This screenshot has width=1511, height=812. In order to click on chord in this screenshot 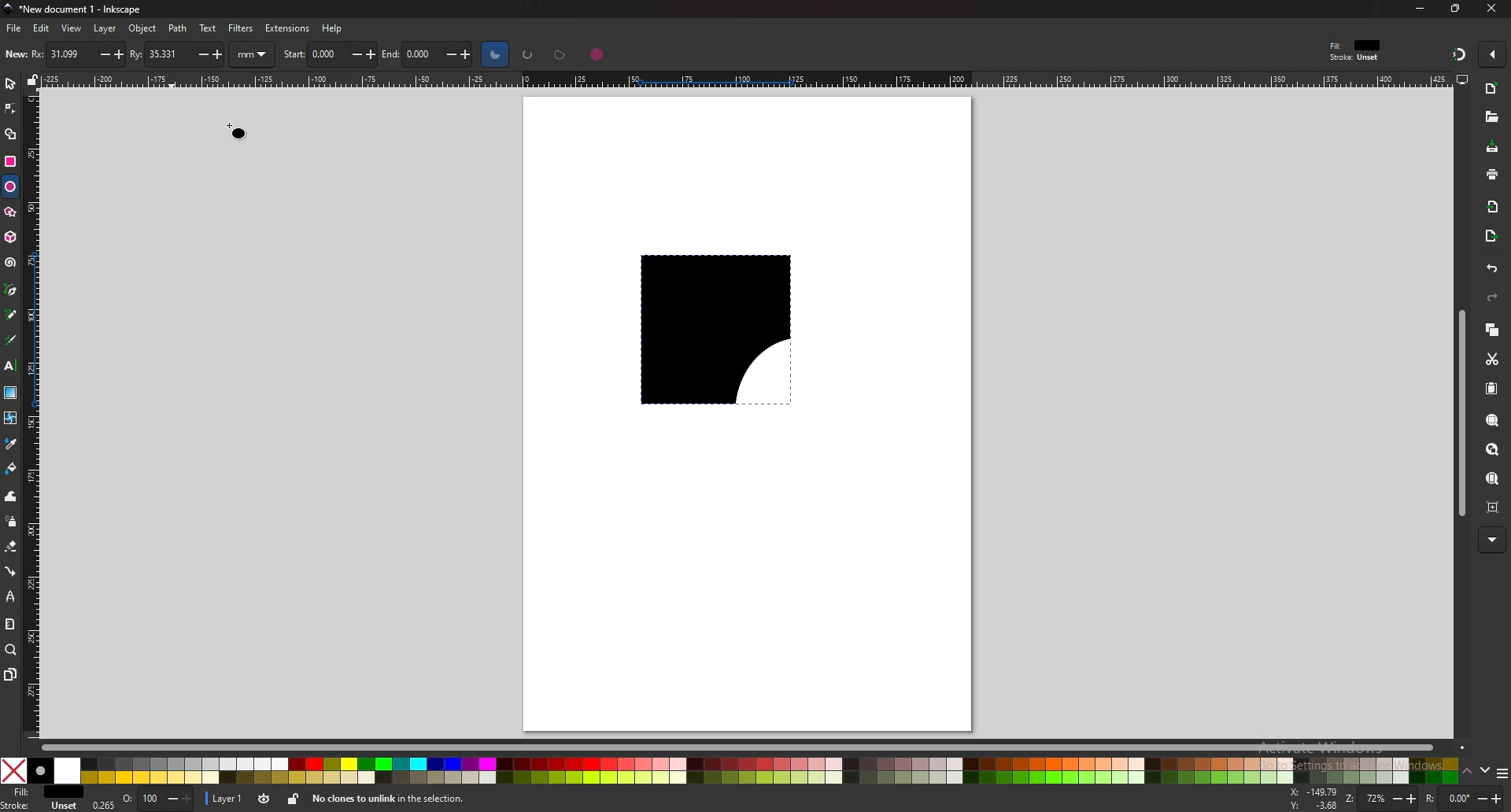, I will do `click(563, 54)`.